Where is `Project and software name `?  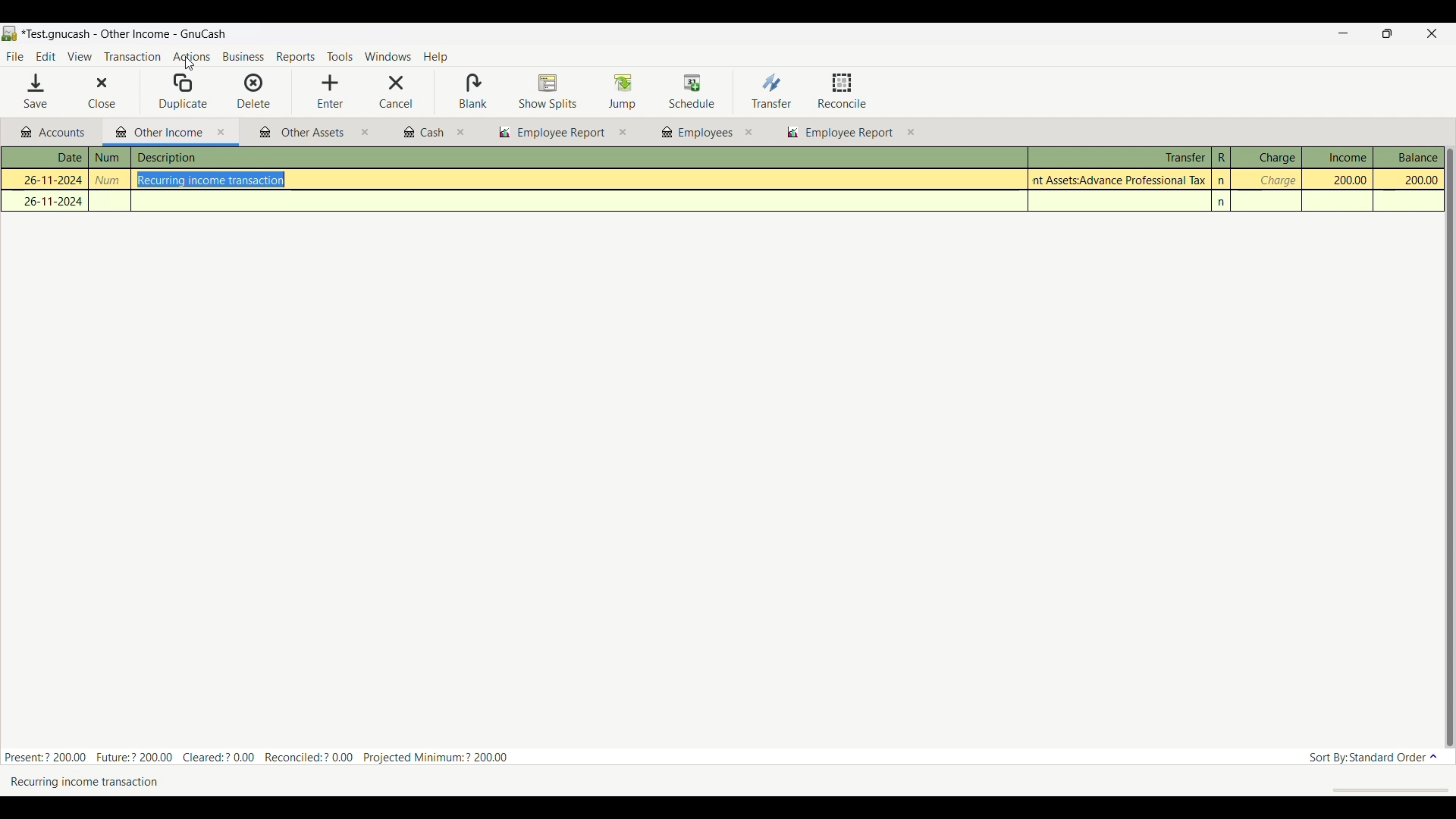 Project and software name  is located at coordinates (124, 35).